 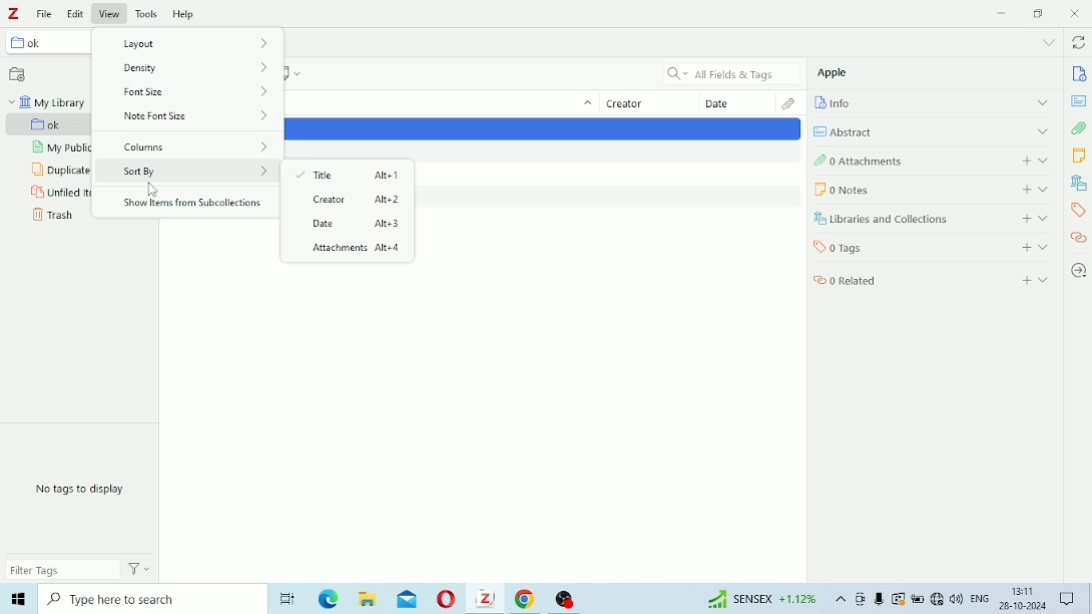 What do you see at coordinates (757, 601) in the screenshot?
I see `Chart` at bounding box center [757, 601].